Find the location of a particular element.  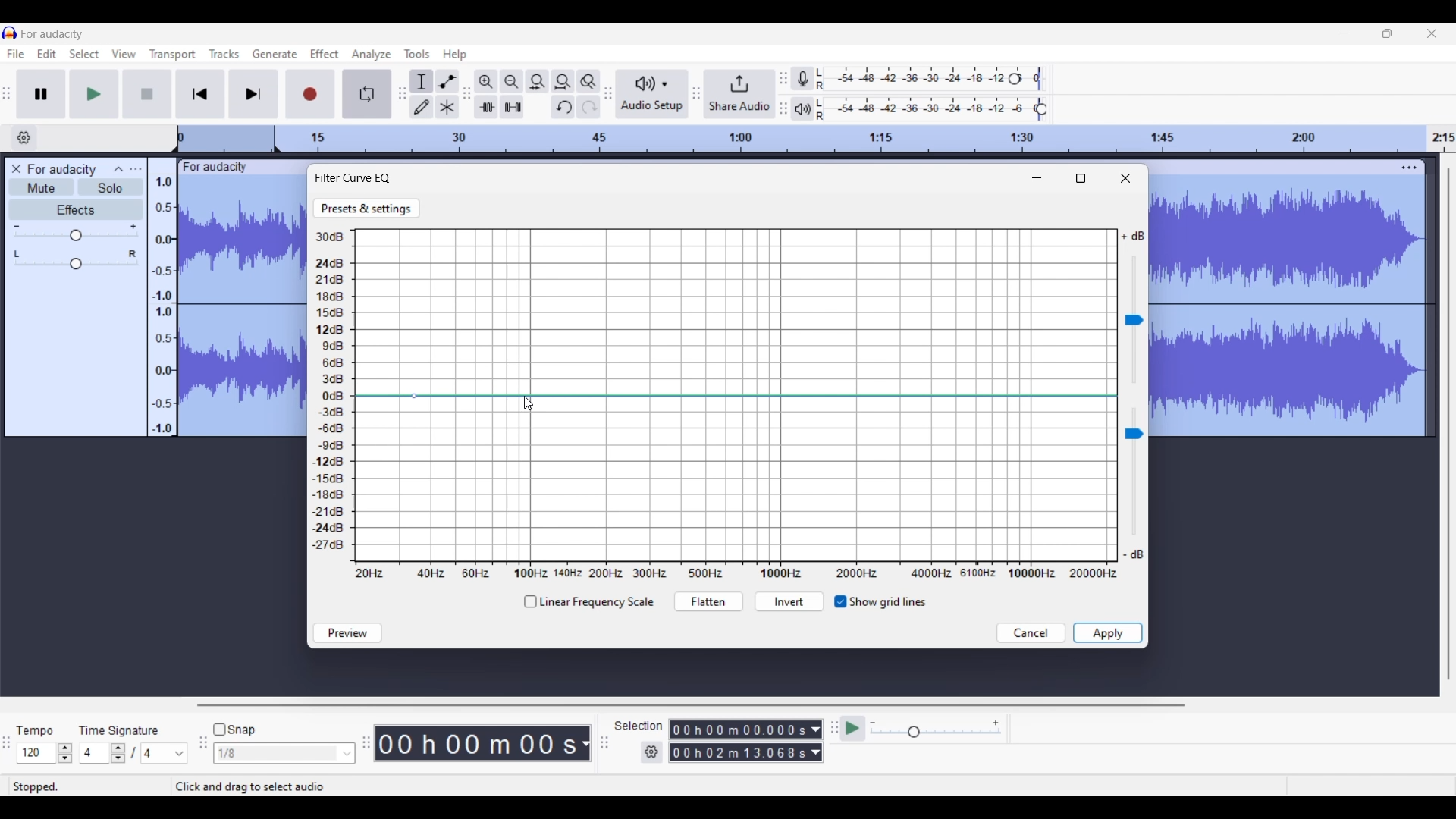

Max. time signature options is located at coordinates (165, 754).